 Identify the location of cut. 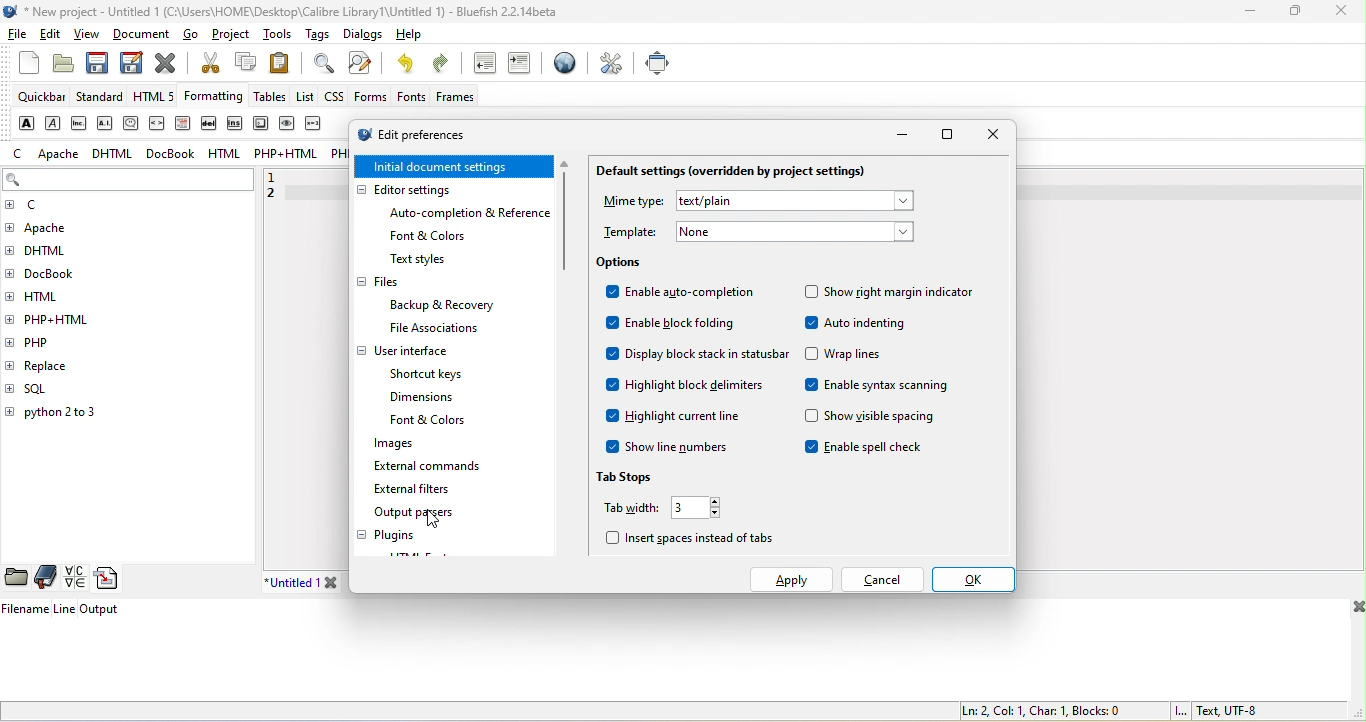
(208, 65).